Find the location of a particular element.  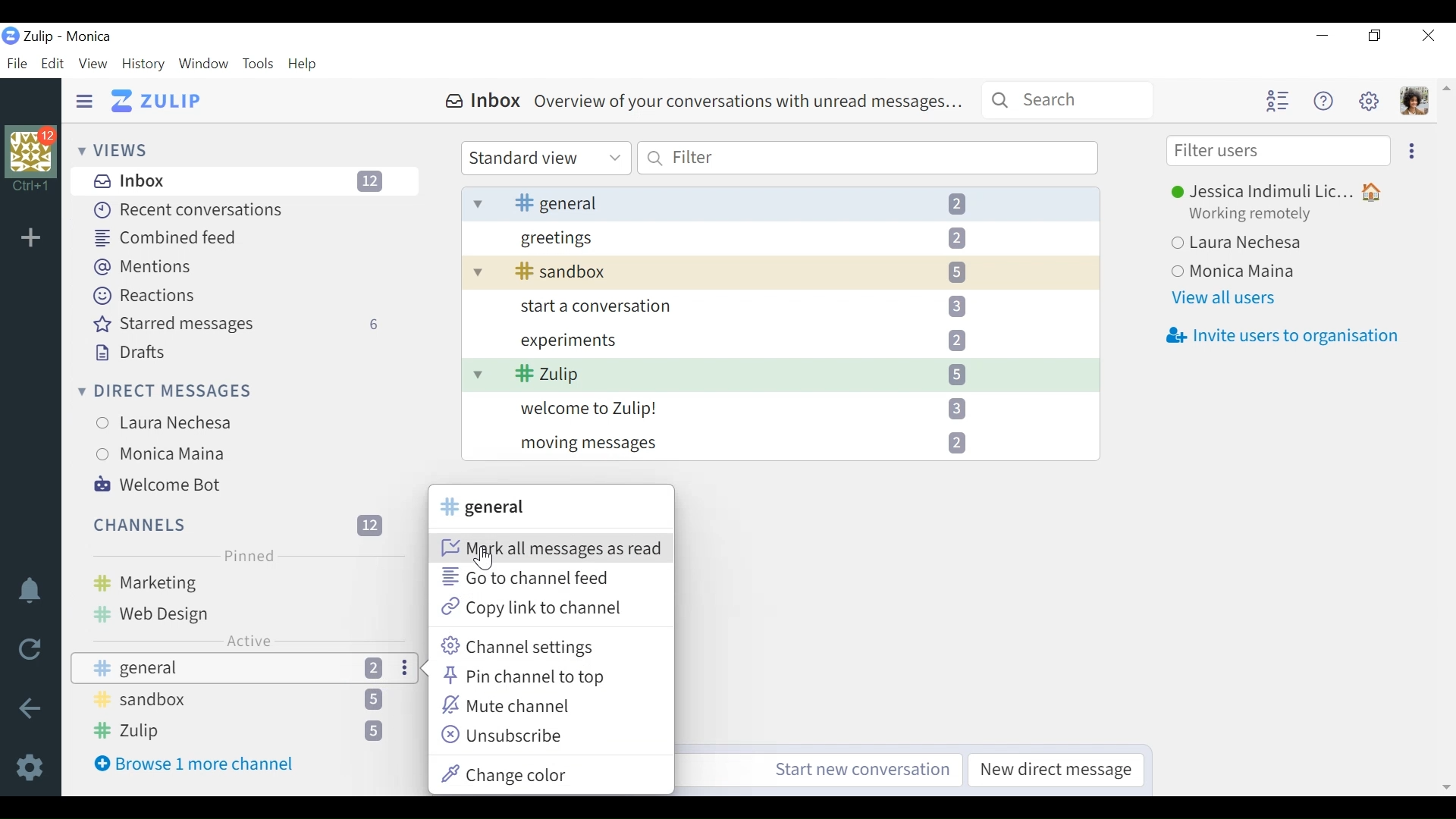

Cursor is located at coordinates (485, 561).